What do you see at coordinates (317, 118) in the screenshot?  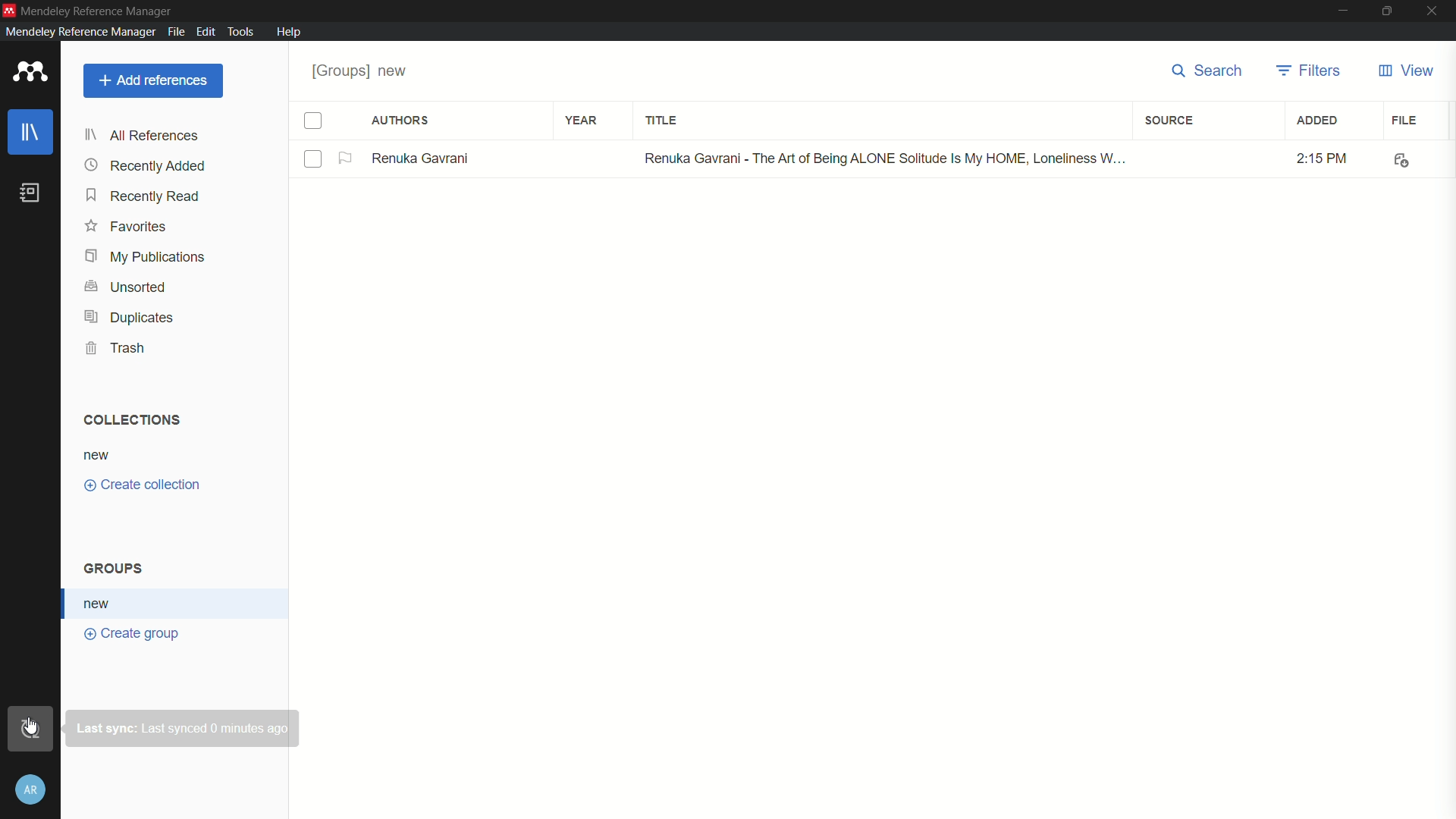 I see `check box` at bounding box center [317, 118].